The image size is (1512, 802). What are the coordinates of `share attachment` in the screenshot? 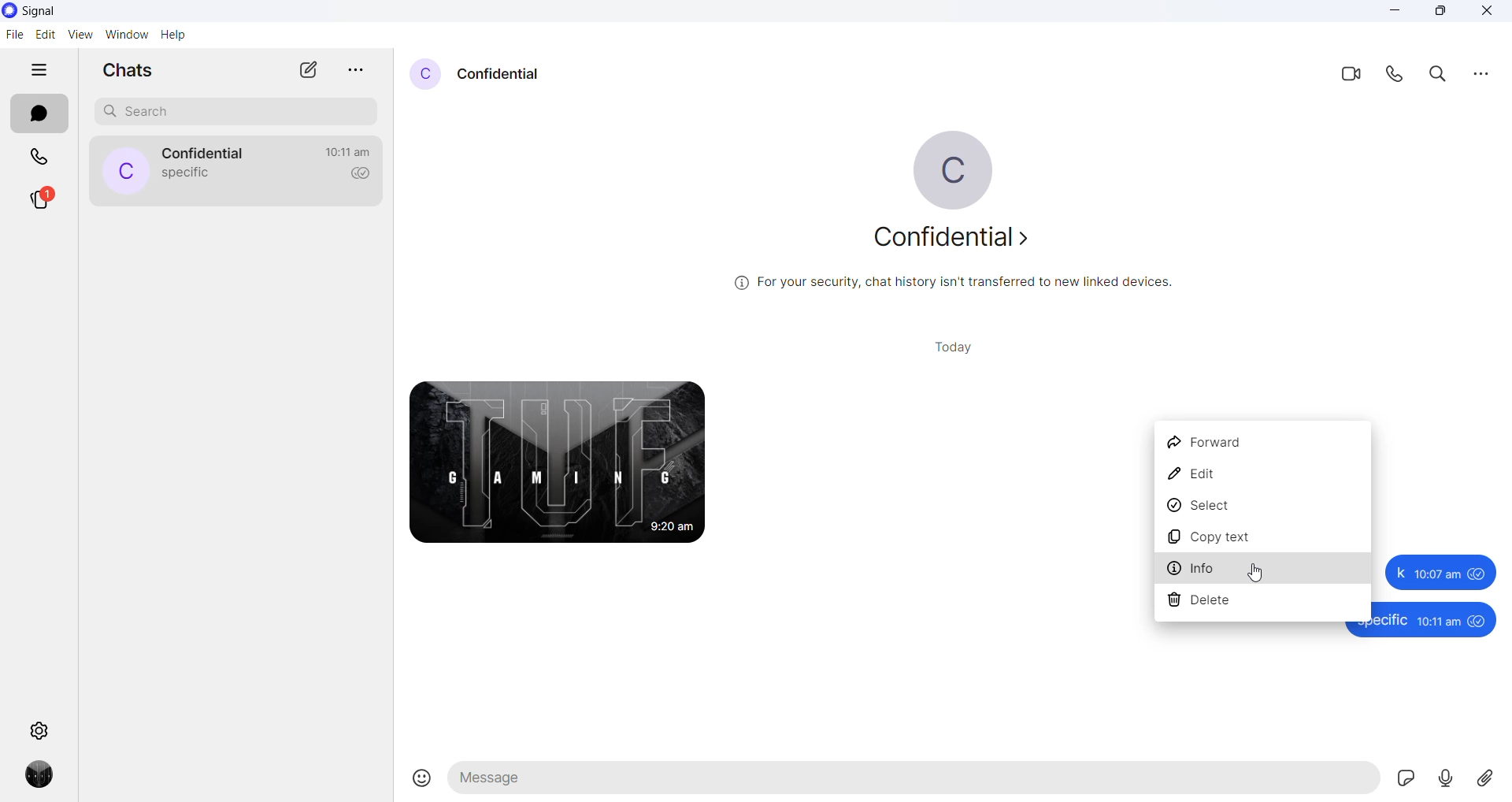 It's located at (1489, 778).